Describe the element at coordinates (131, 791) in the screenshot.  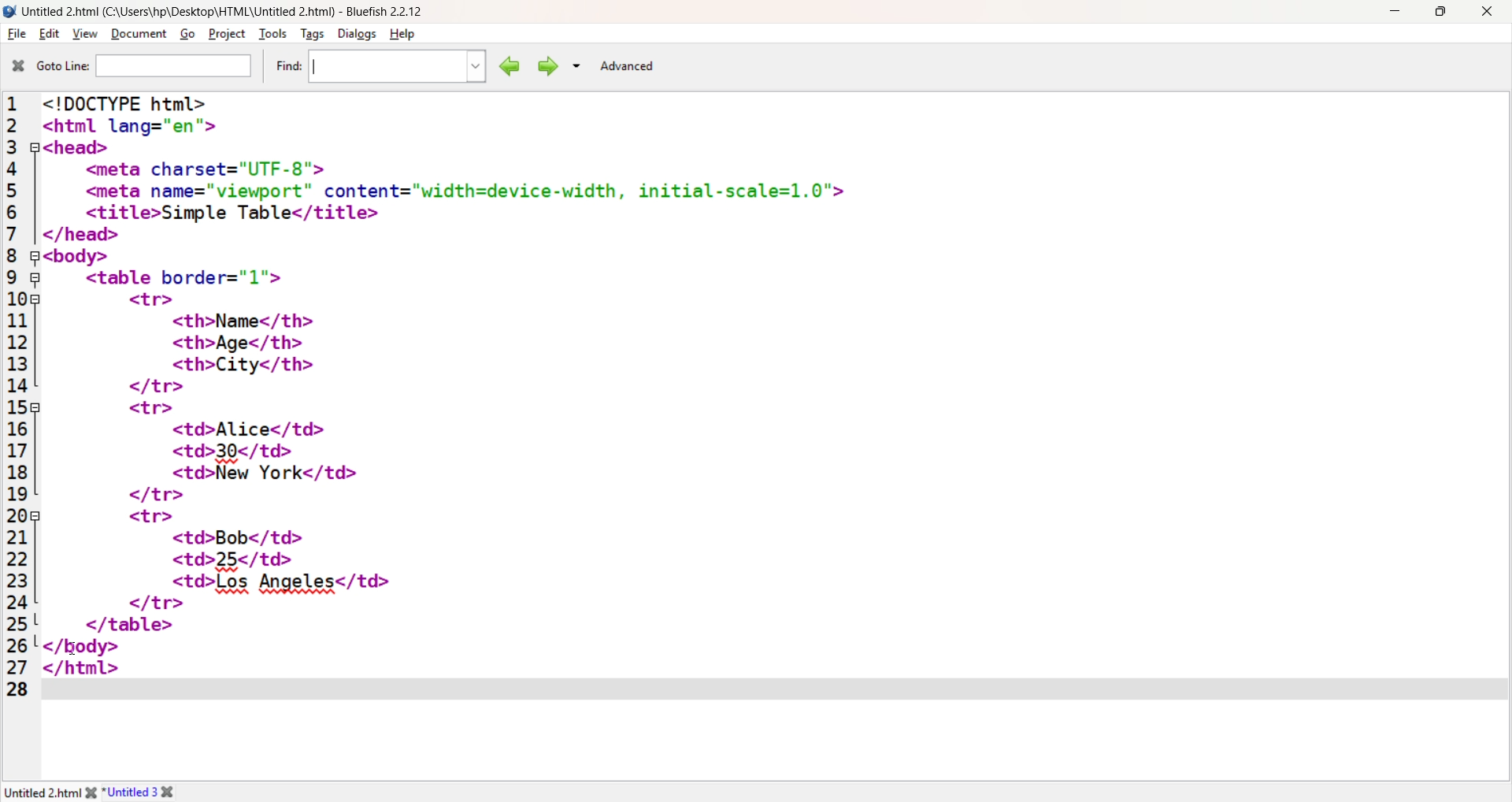
I see `Untitled 3` at that location.